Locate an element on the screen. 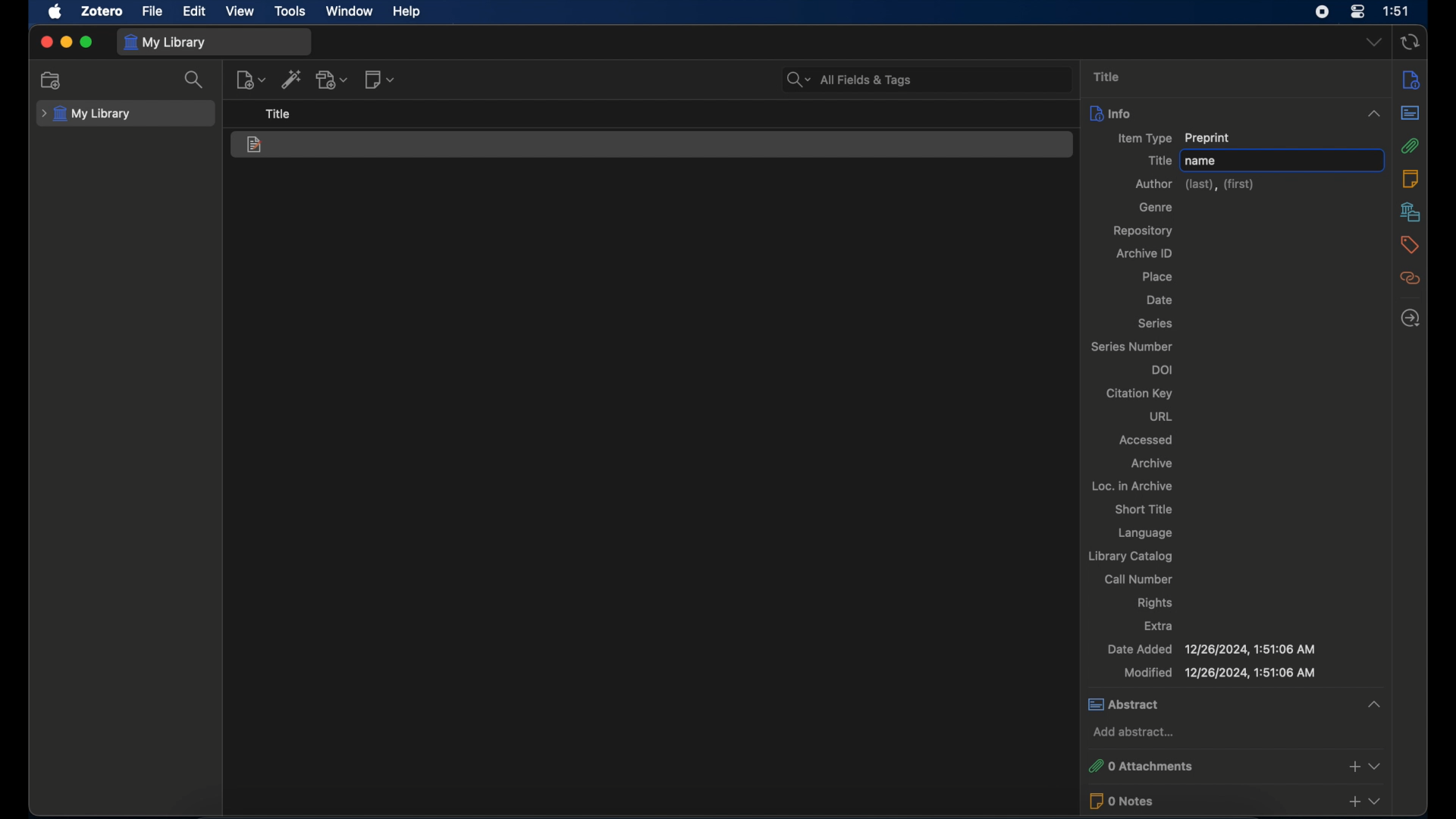 The height and width of the screenshot is (819, 1456). accessed is located at coordinates (1146, 440).